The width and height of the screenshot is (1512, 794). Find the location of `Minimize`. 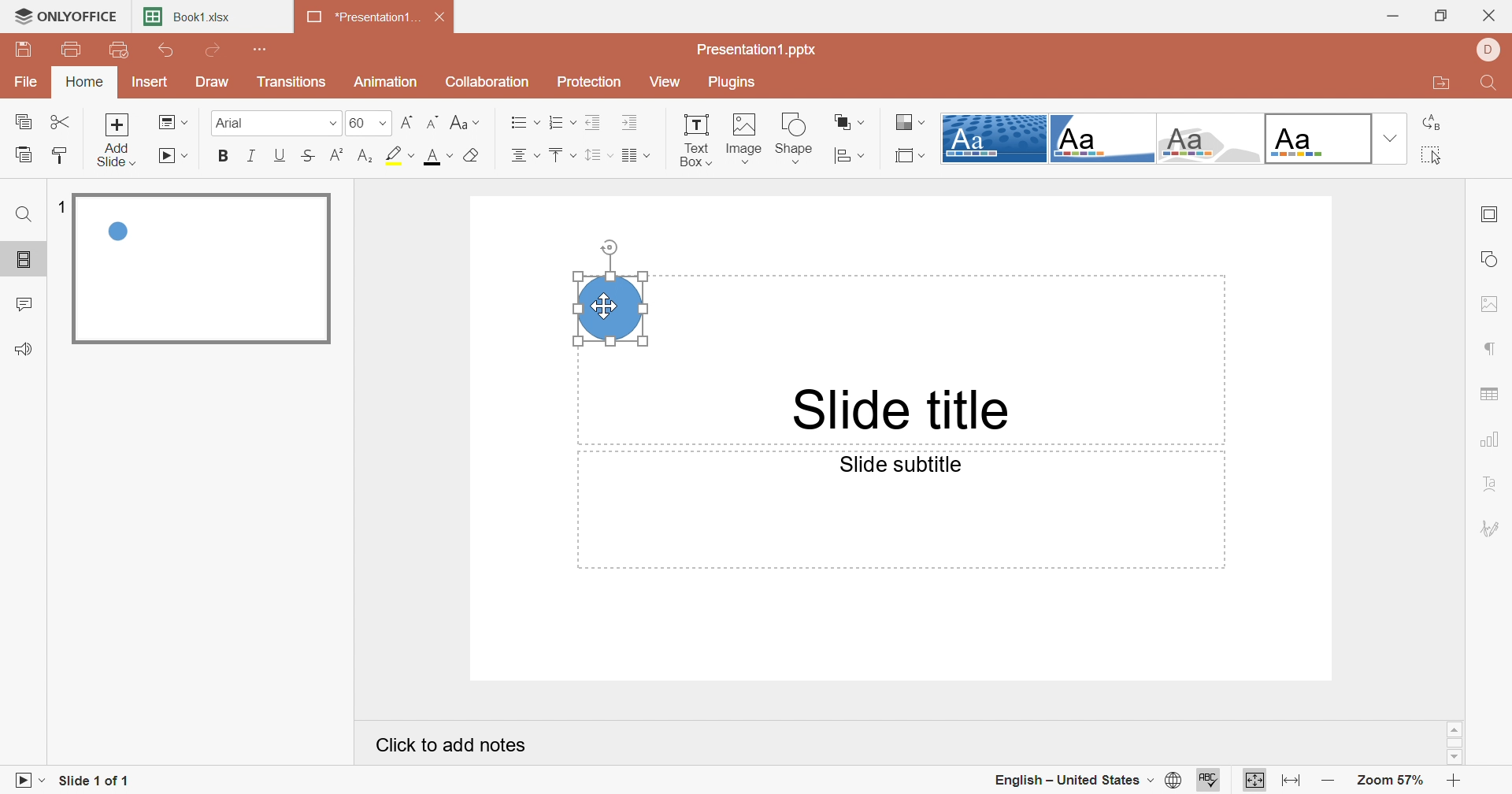

Minimize is located at coordinates (1397, 15).